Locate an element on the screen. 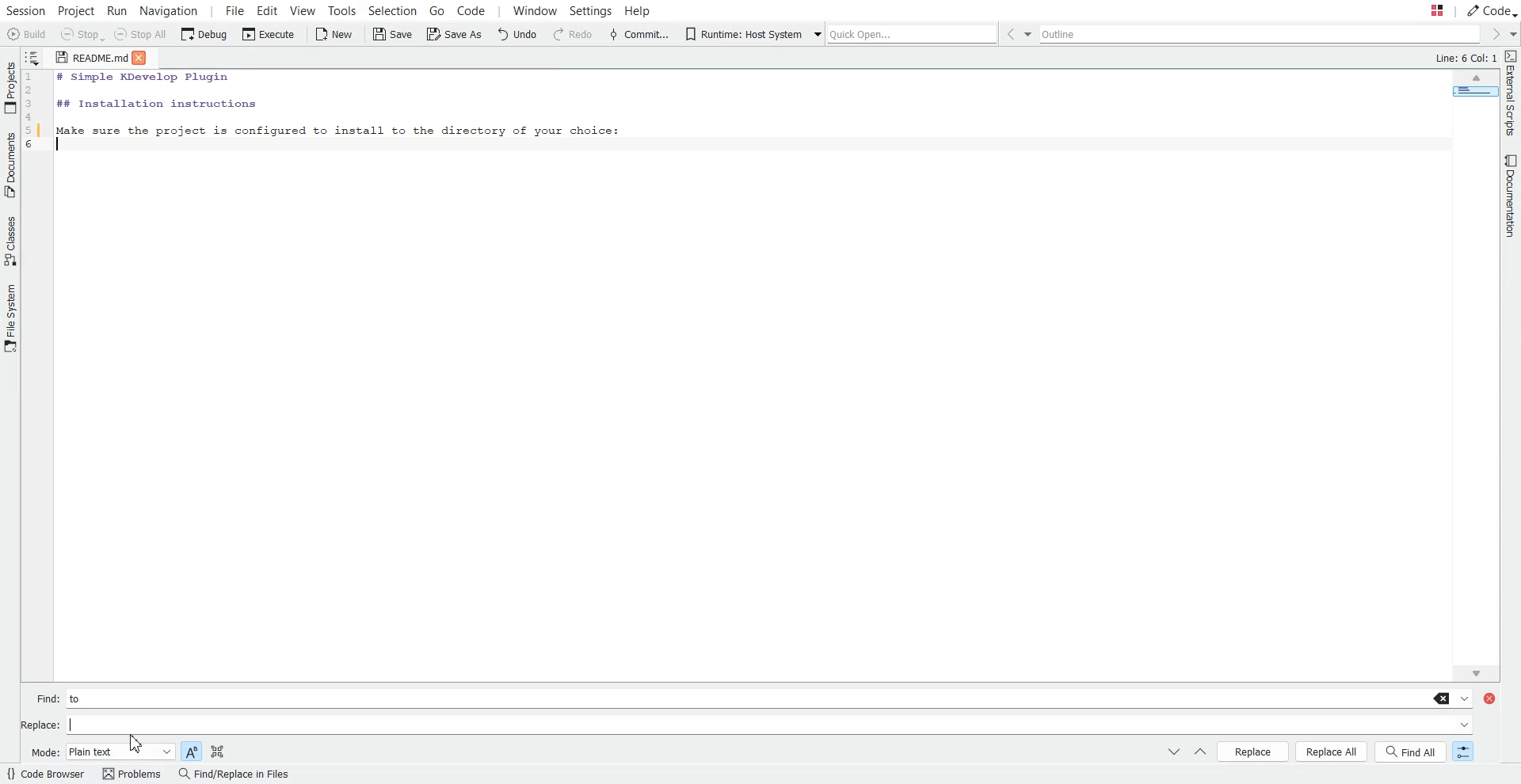 The width and height of the screenshot is (1521, 784). Stop is located at coordinates (82, 36).